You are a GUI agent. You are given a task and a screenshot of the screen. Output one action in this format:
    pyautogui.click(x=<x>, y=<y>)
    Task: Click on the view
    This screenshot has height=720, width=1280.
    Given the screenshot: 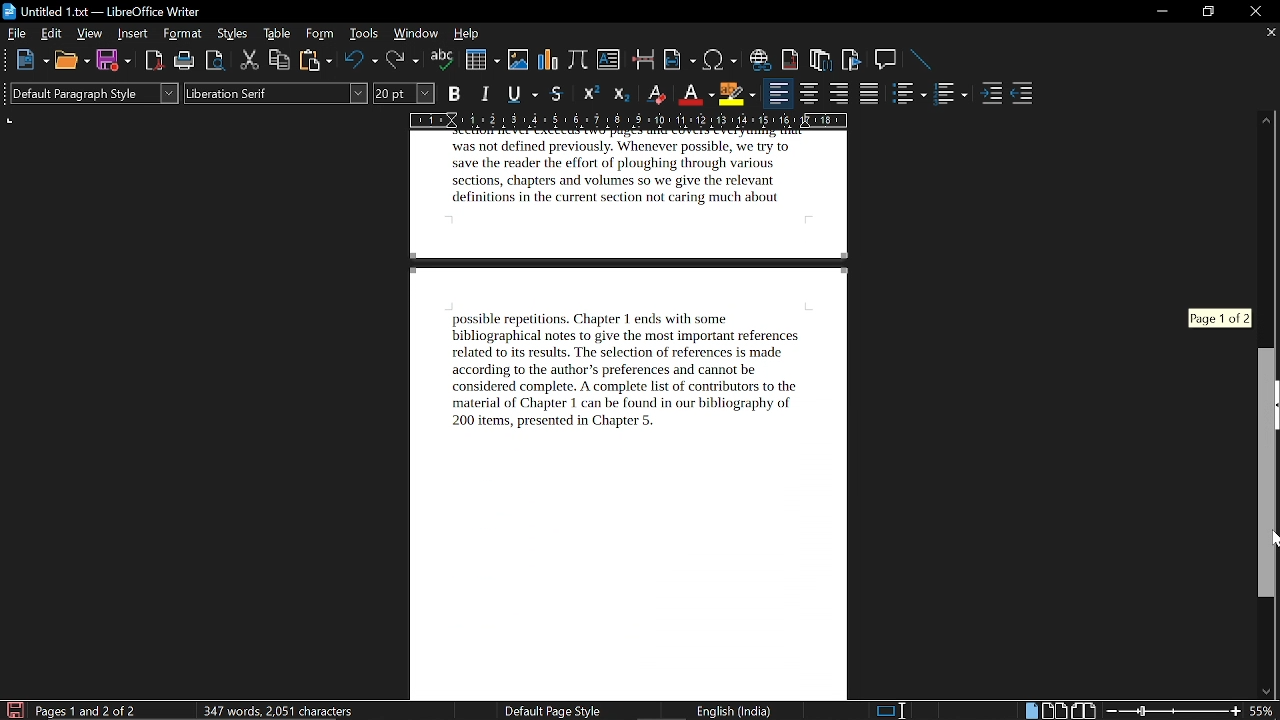 What is the action you would take?
    pyautogui.click(x=90, y=33)
    